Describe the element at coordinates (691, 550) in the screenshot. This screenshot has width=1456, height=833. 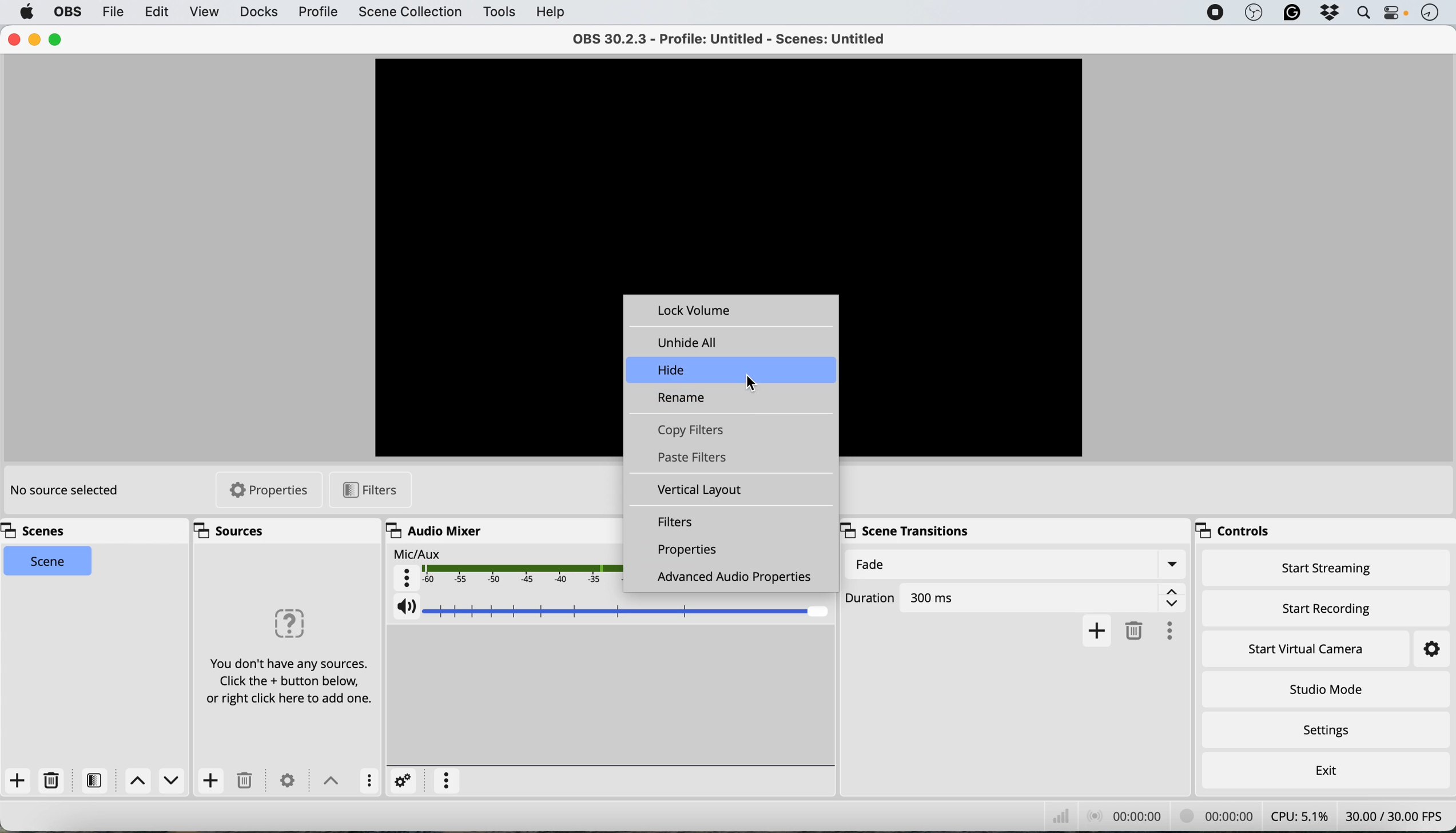
I see `properties` at that location.